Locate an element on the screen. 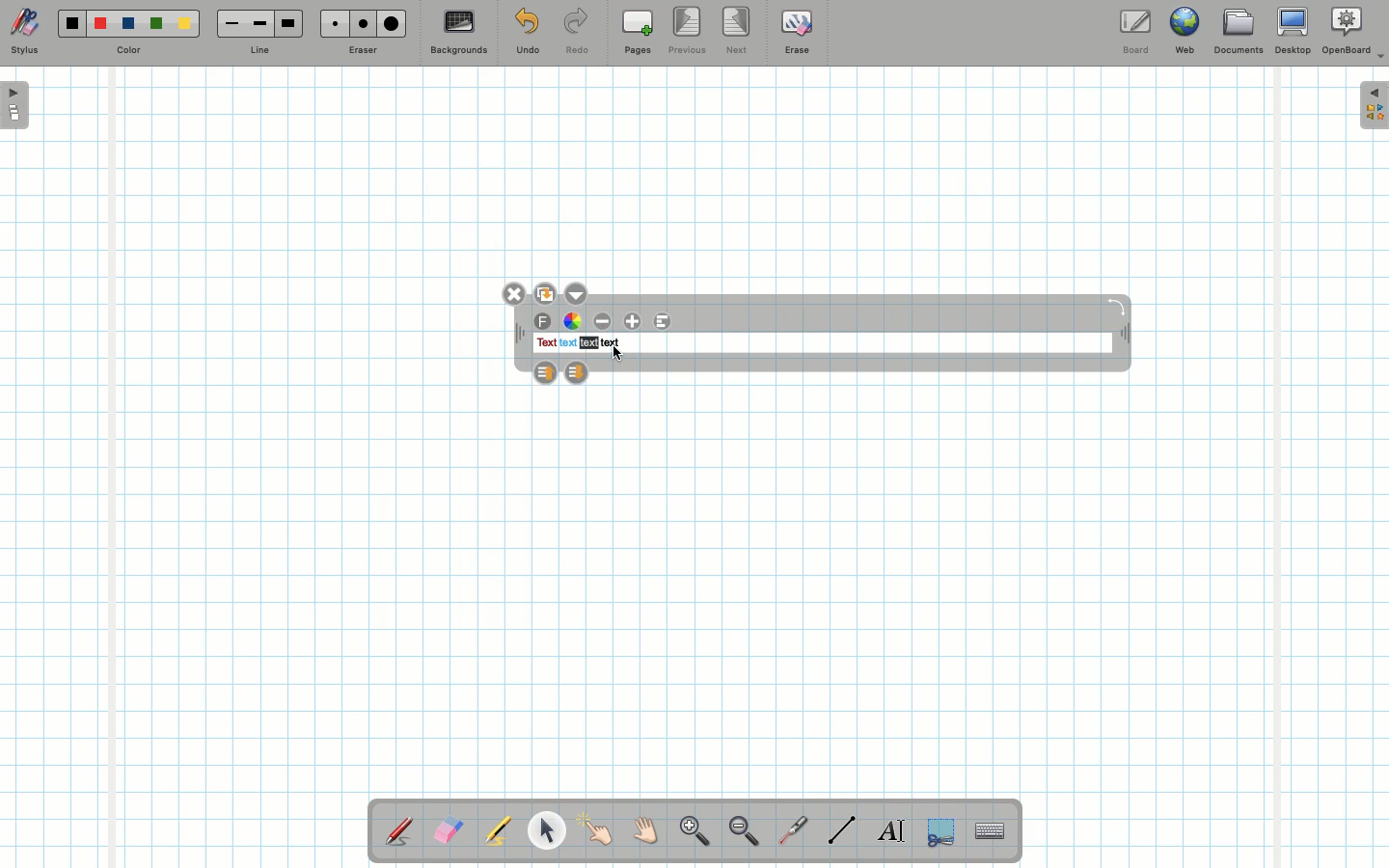 The image size is (1389, 868). Open pages is located at coordinates (16, 104).